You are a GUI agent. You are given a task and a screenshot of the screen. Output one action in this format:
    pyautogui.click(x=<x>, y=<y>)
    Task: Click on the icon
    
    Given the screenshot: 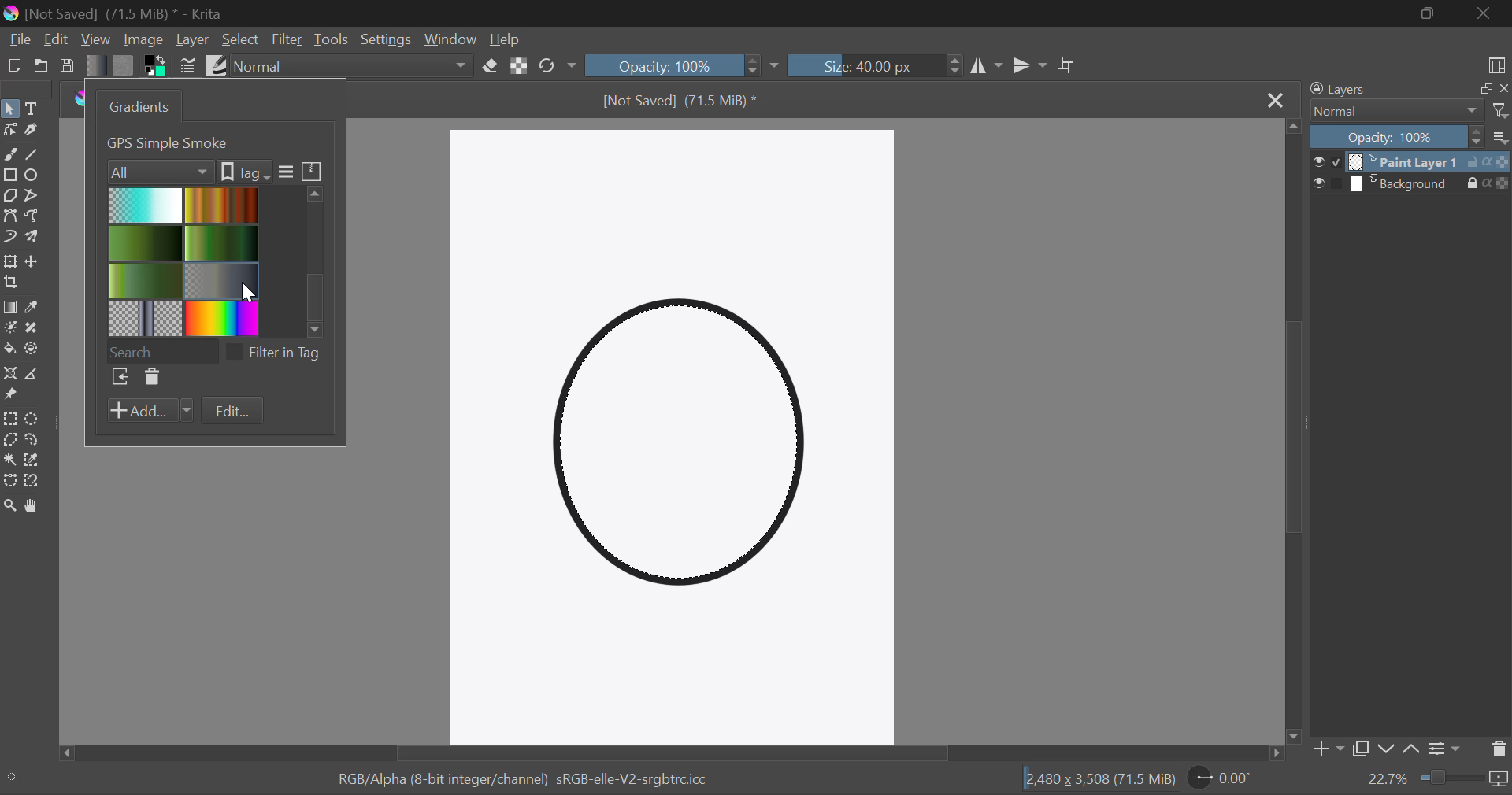 What is the action you would take?
    pyautogui.click(x=1501, y=782)
    